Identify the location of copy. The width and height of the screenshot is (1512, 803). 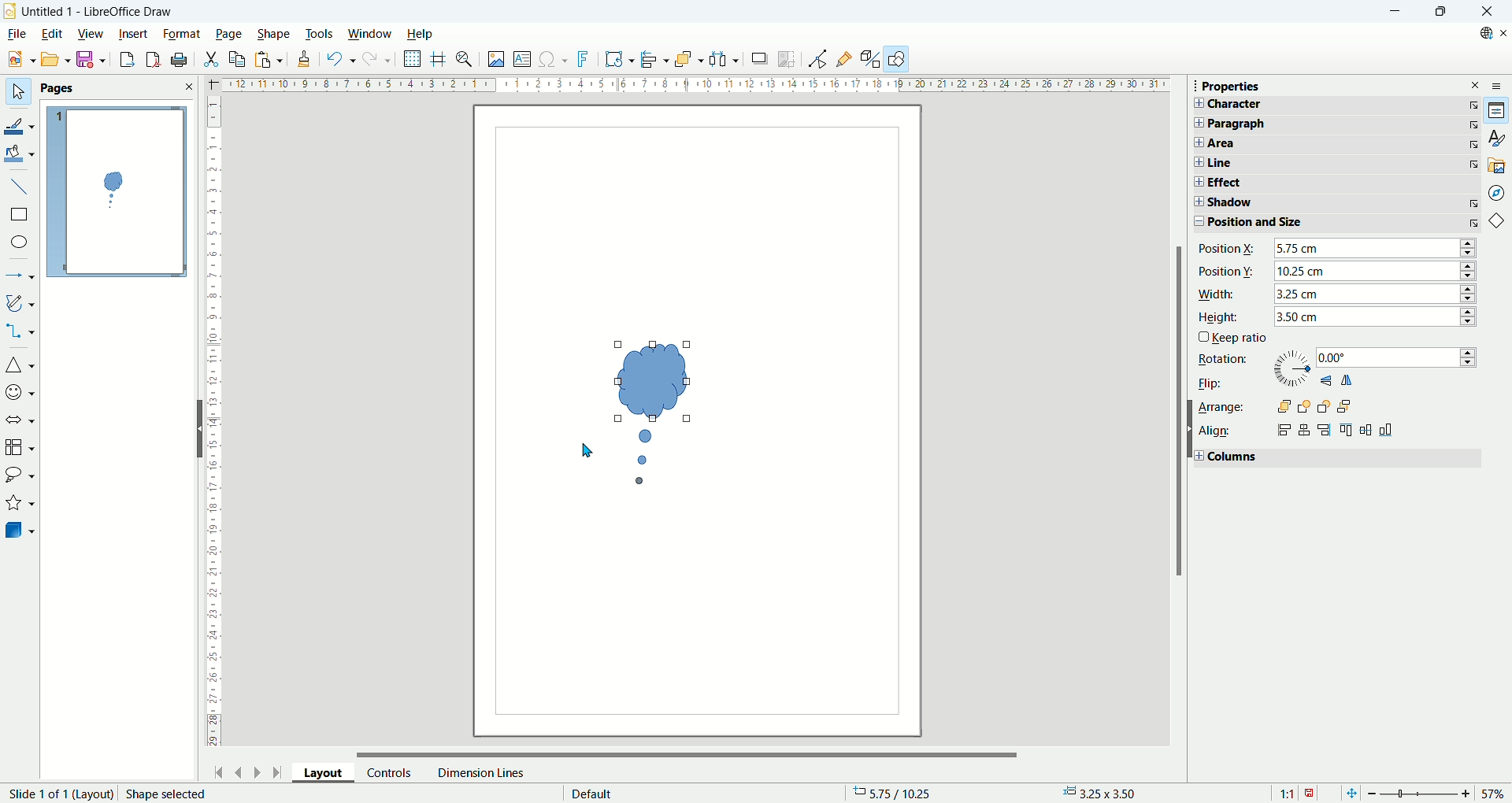
(238, 59).